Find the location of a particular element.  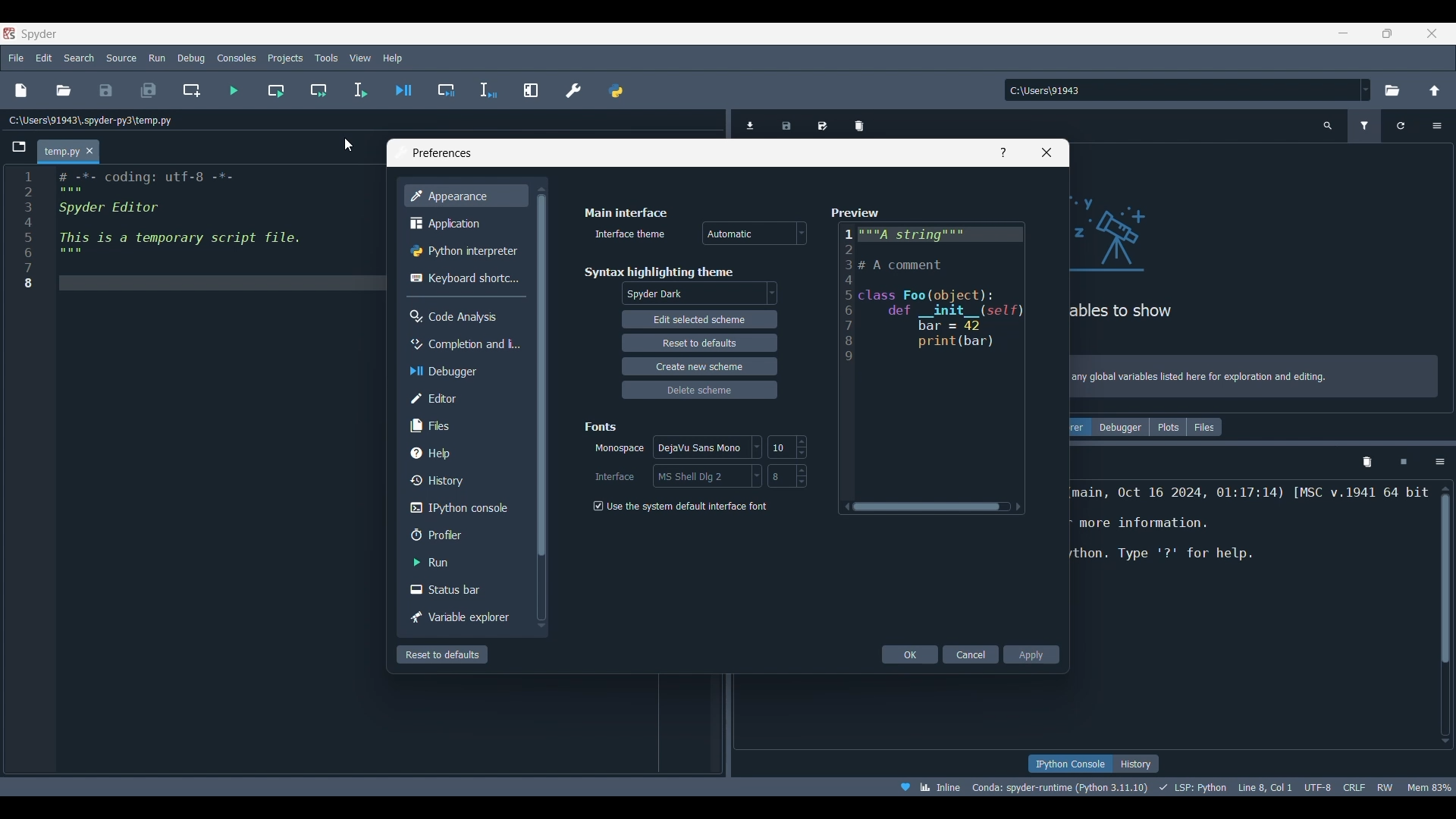

preview is located at coordinates (932, 356).